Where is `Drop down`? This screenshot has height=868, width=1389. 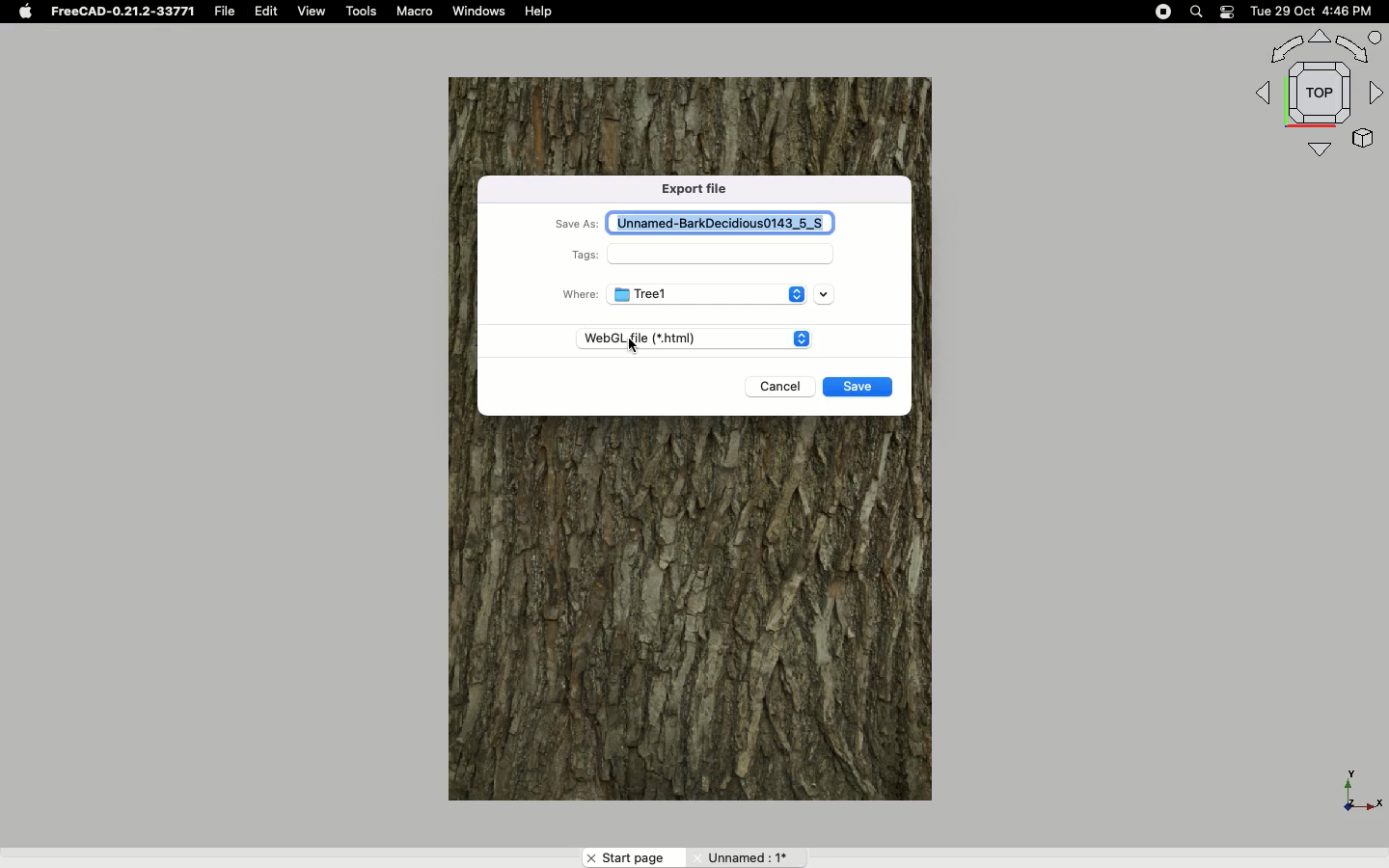 Drop down is located at coordinates (825, 296).